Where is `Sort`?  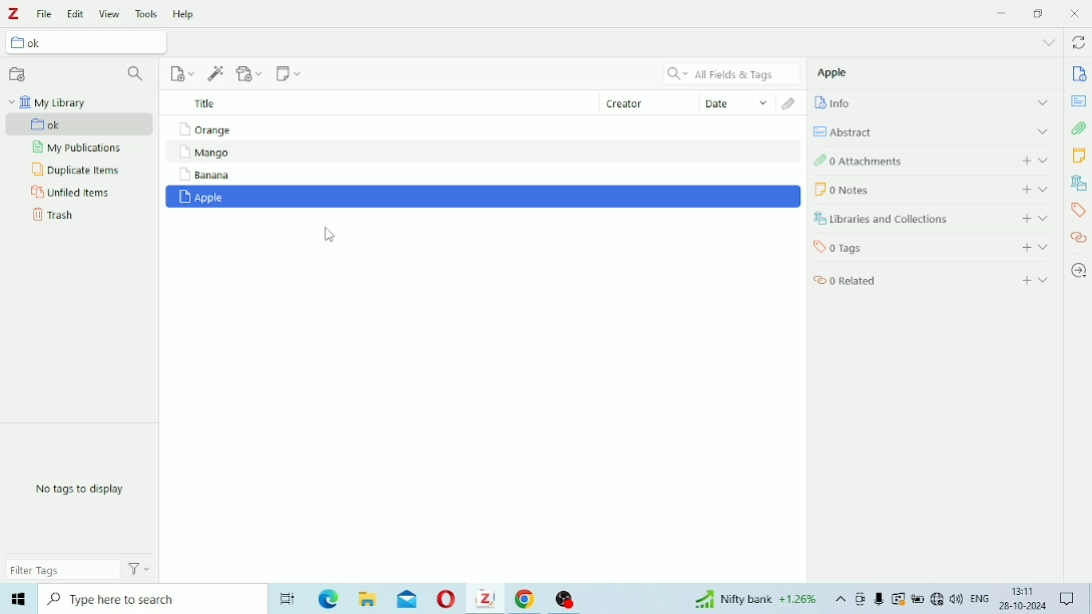
Sort is located at coordinates (585, 105).